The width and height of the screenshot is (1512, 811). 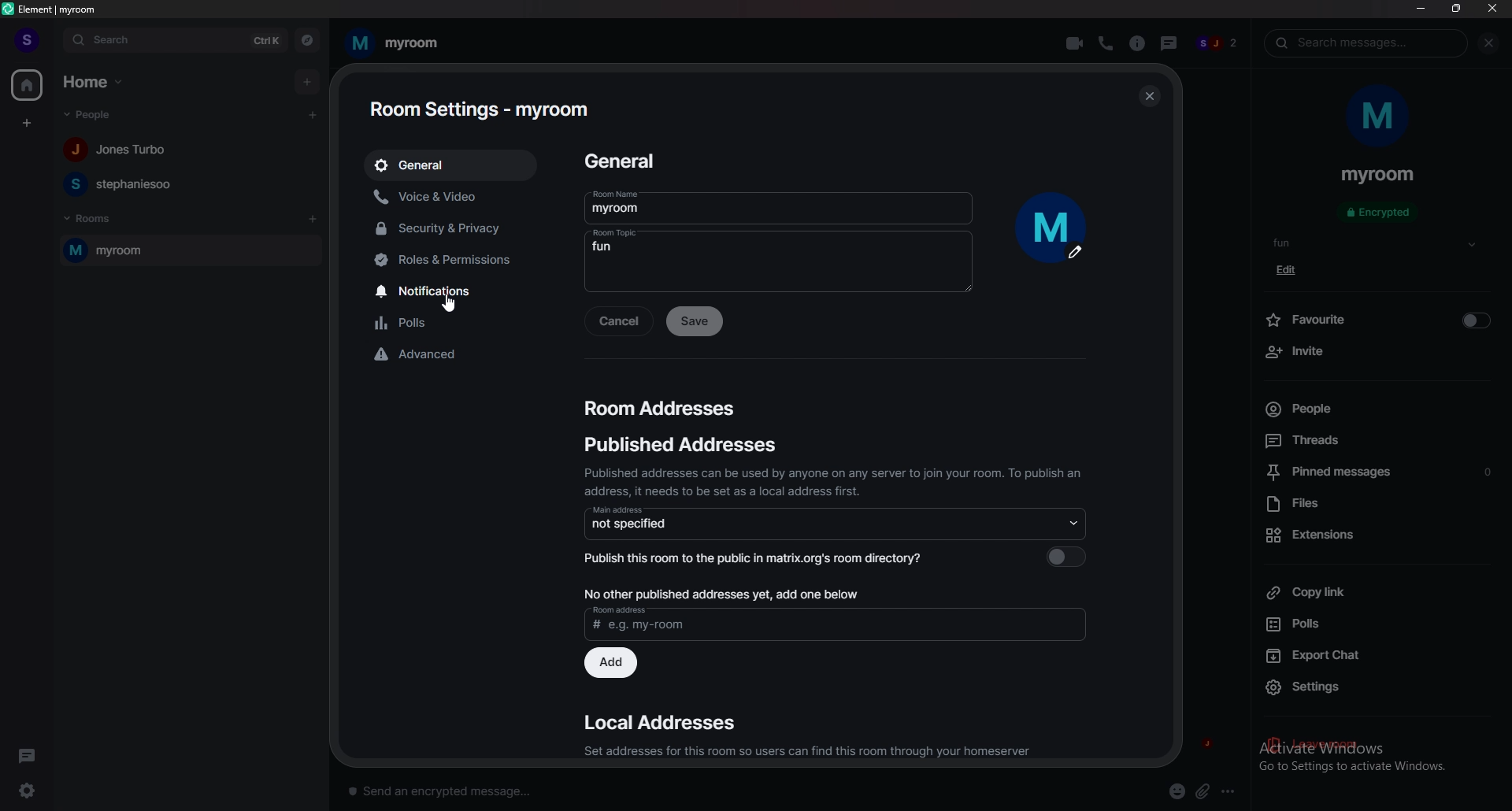 What do you see at coordinates (1380, 117) in the screenshot?
I see `room photo` at bounding box center [1380, 117].